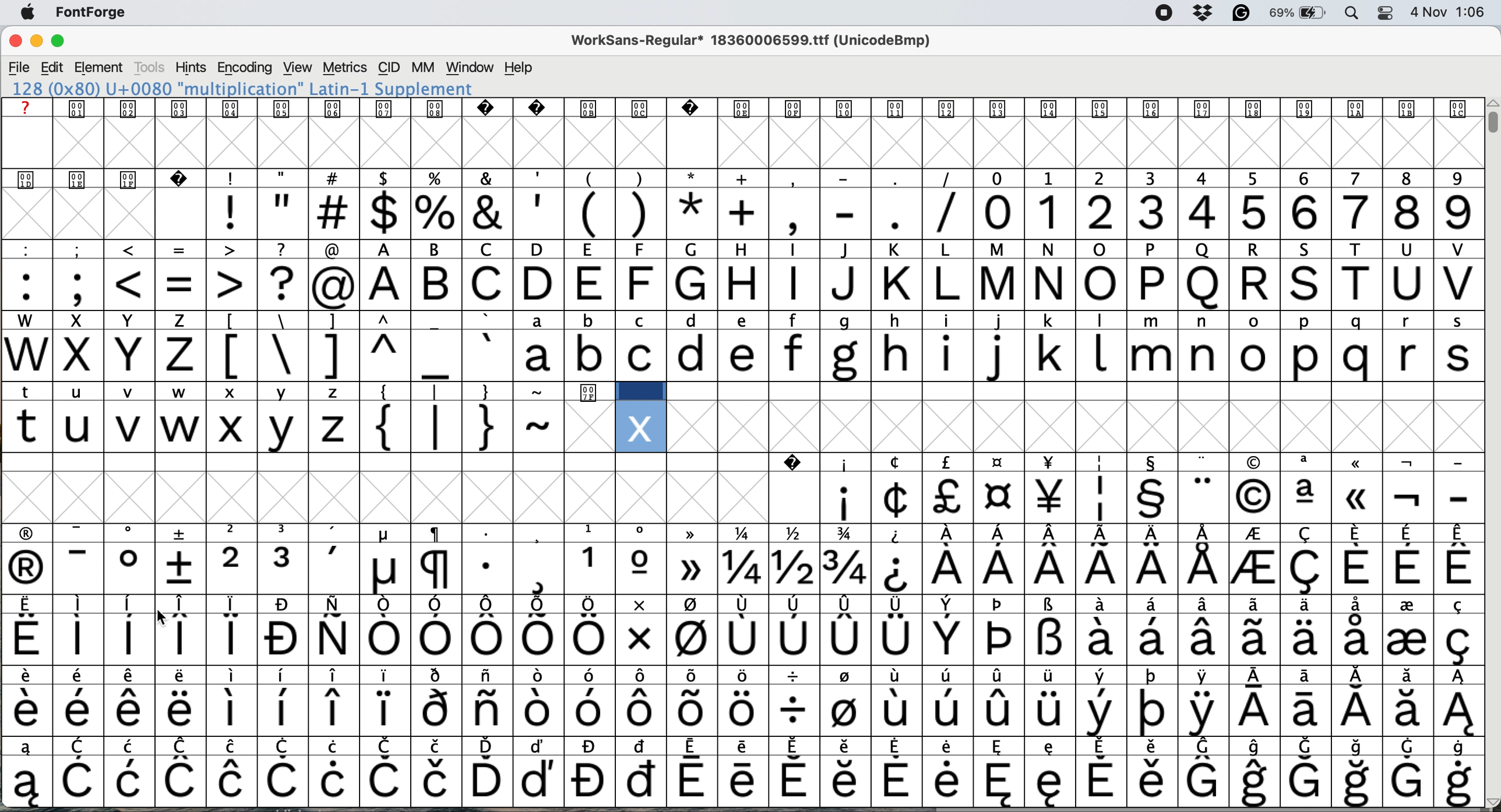 The width and height of the screenshot is (1501, 812). What do you see at coordinates (108, 217) in the screenshot?
I see `glyph grid` at bounding box center [108, 217].